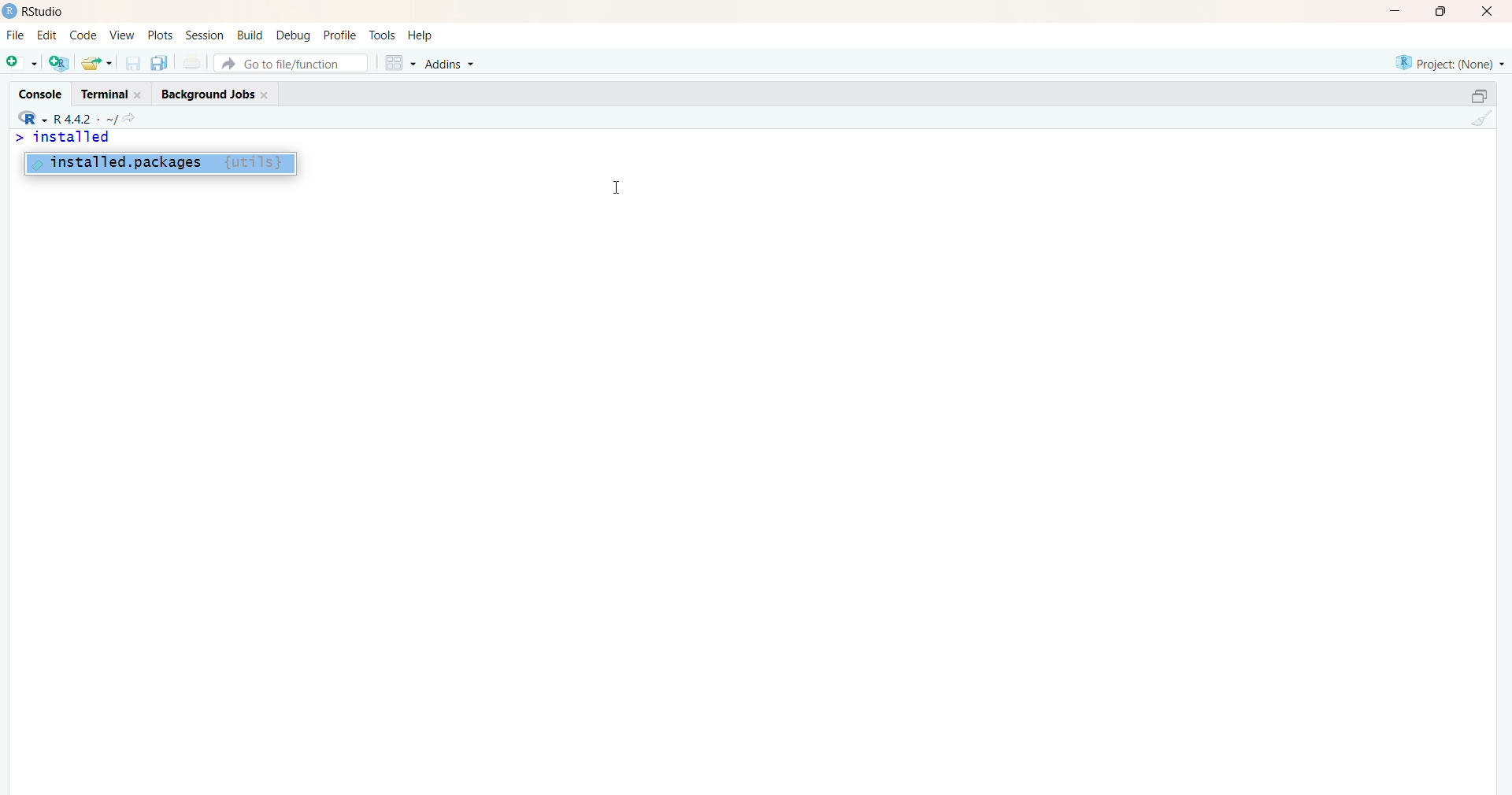  I want to click on plots, so click(158, 34).